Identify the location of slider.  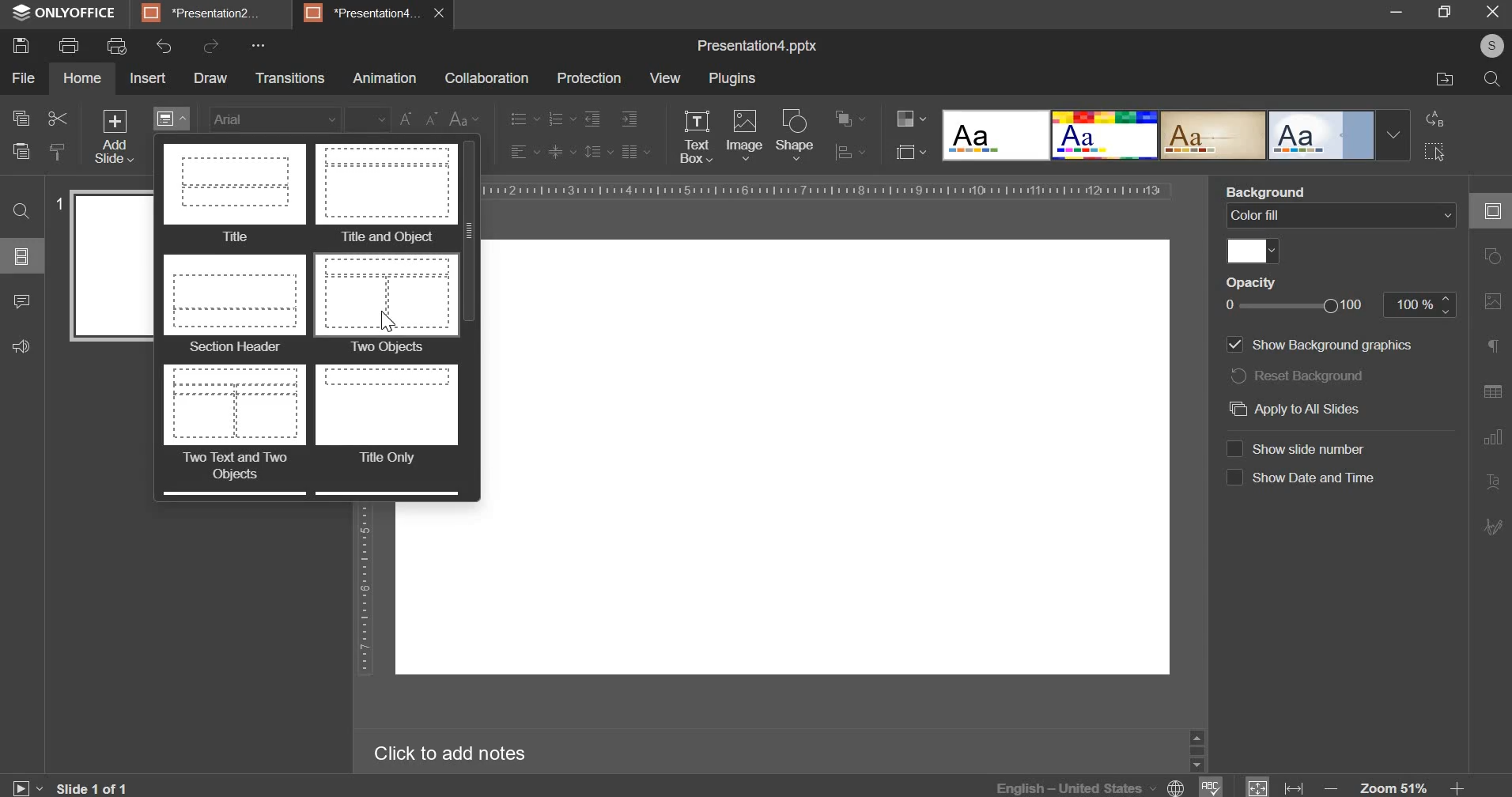
(1196, 750).